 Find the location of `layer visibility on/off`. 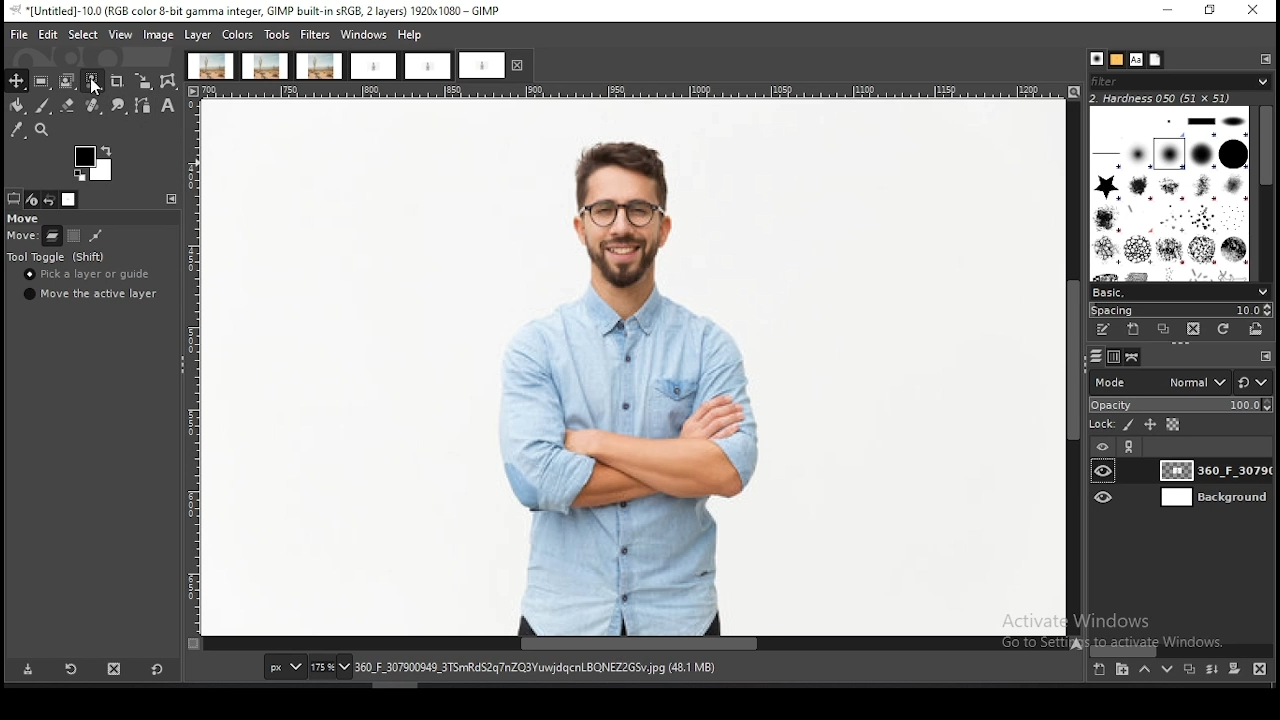

layer visibility on/off is located at coordinates (1103, 448).